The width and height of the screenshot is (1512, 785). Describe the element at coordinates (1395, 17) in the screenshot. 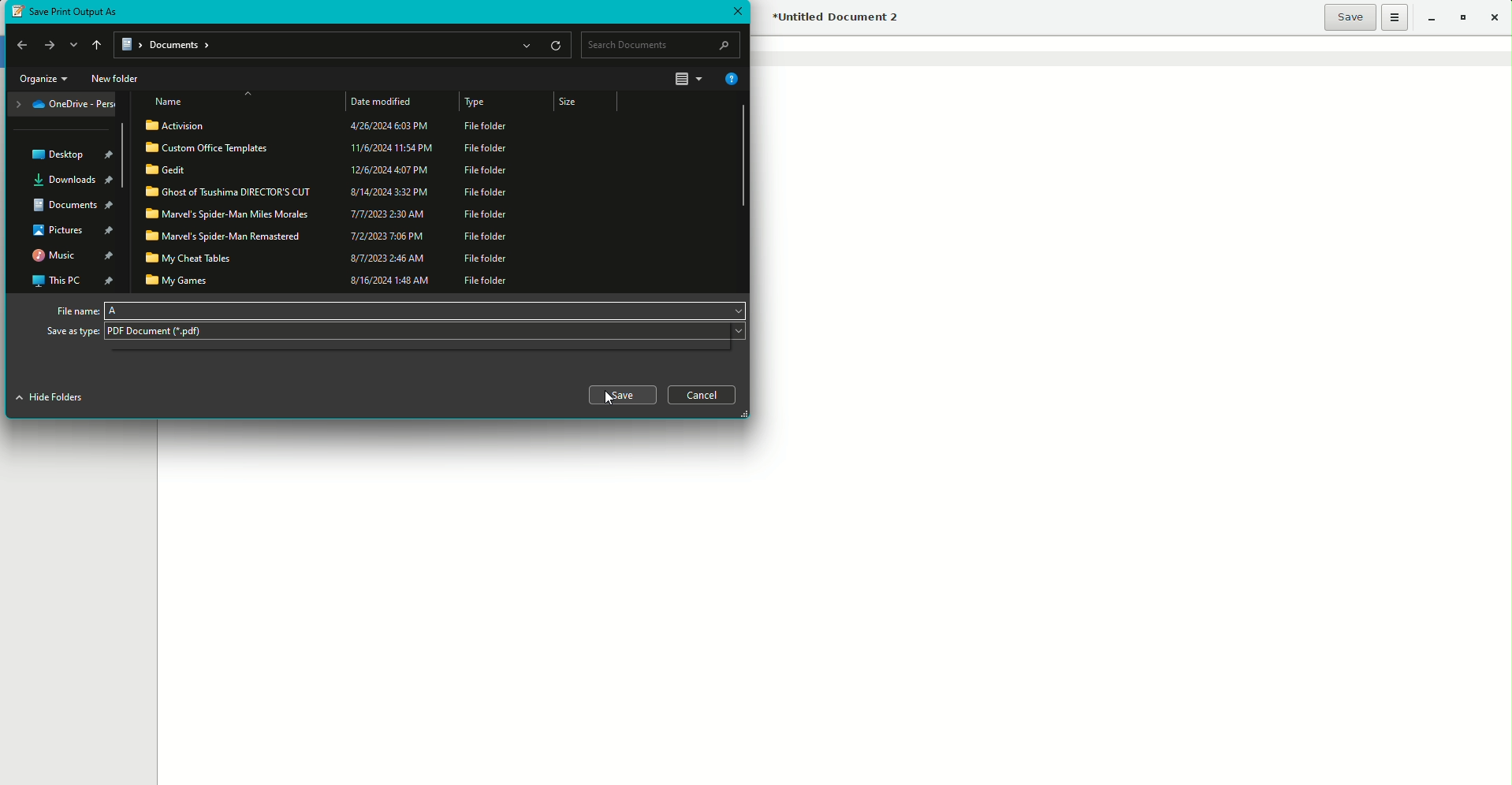

I see `Options` at that location.